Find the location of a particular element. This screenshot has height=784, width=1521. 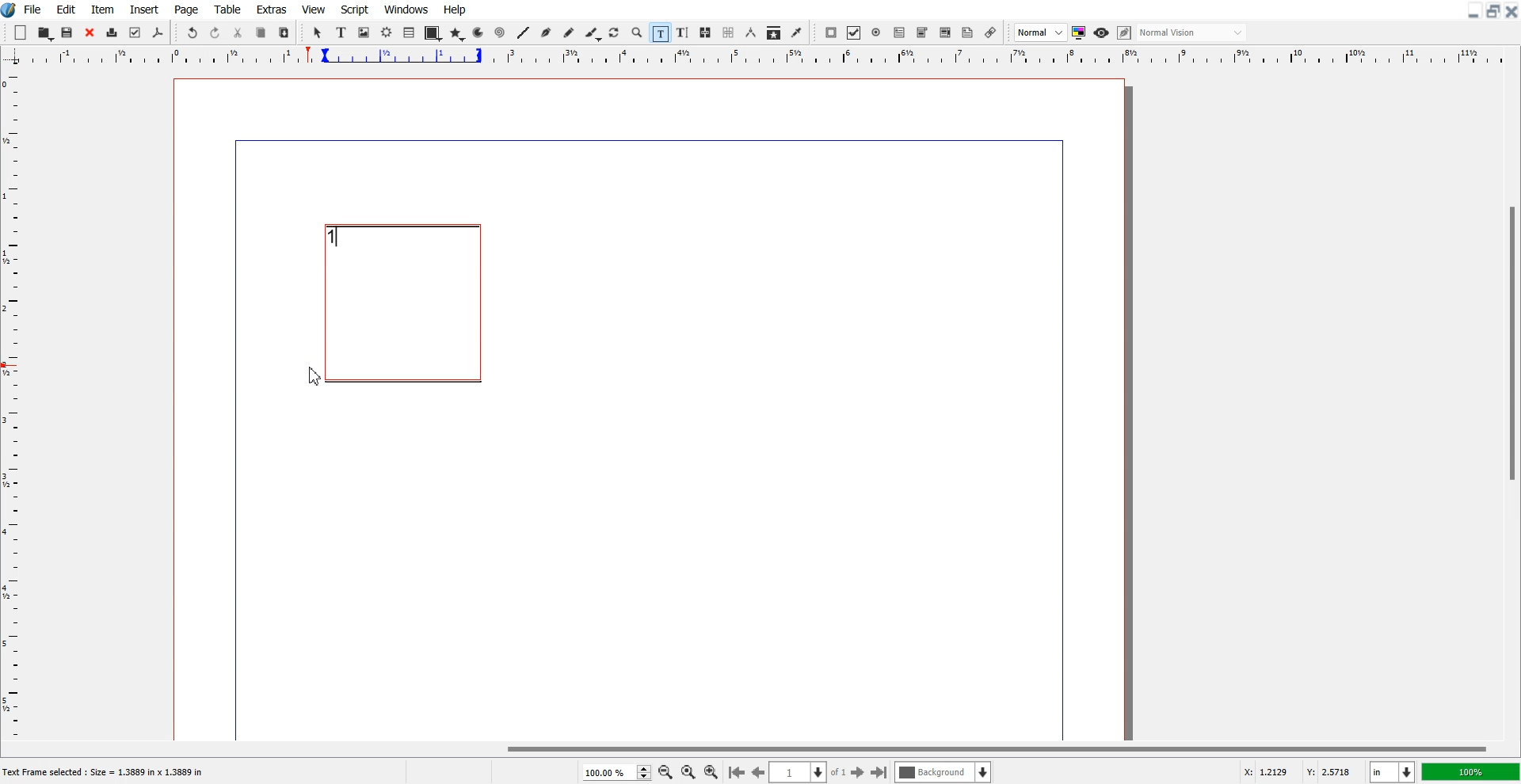

Go to Last Page is located at coordinates (879, 773).